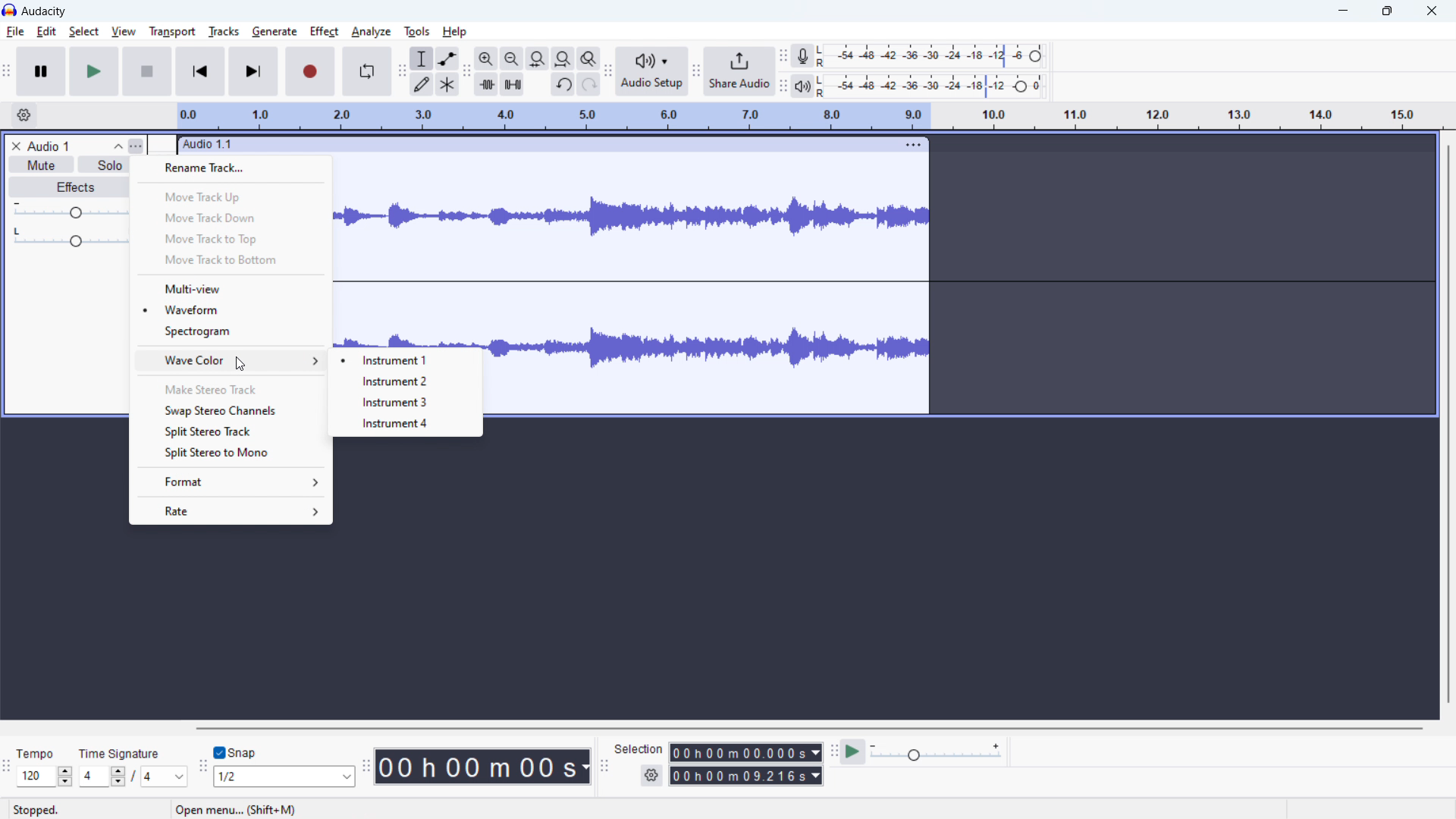 Image resolution: width=1456 pixels, height=819 pixels. Describe the element at coordinates (23, 116) in the screenshot. I see `timeline settings` at that location.